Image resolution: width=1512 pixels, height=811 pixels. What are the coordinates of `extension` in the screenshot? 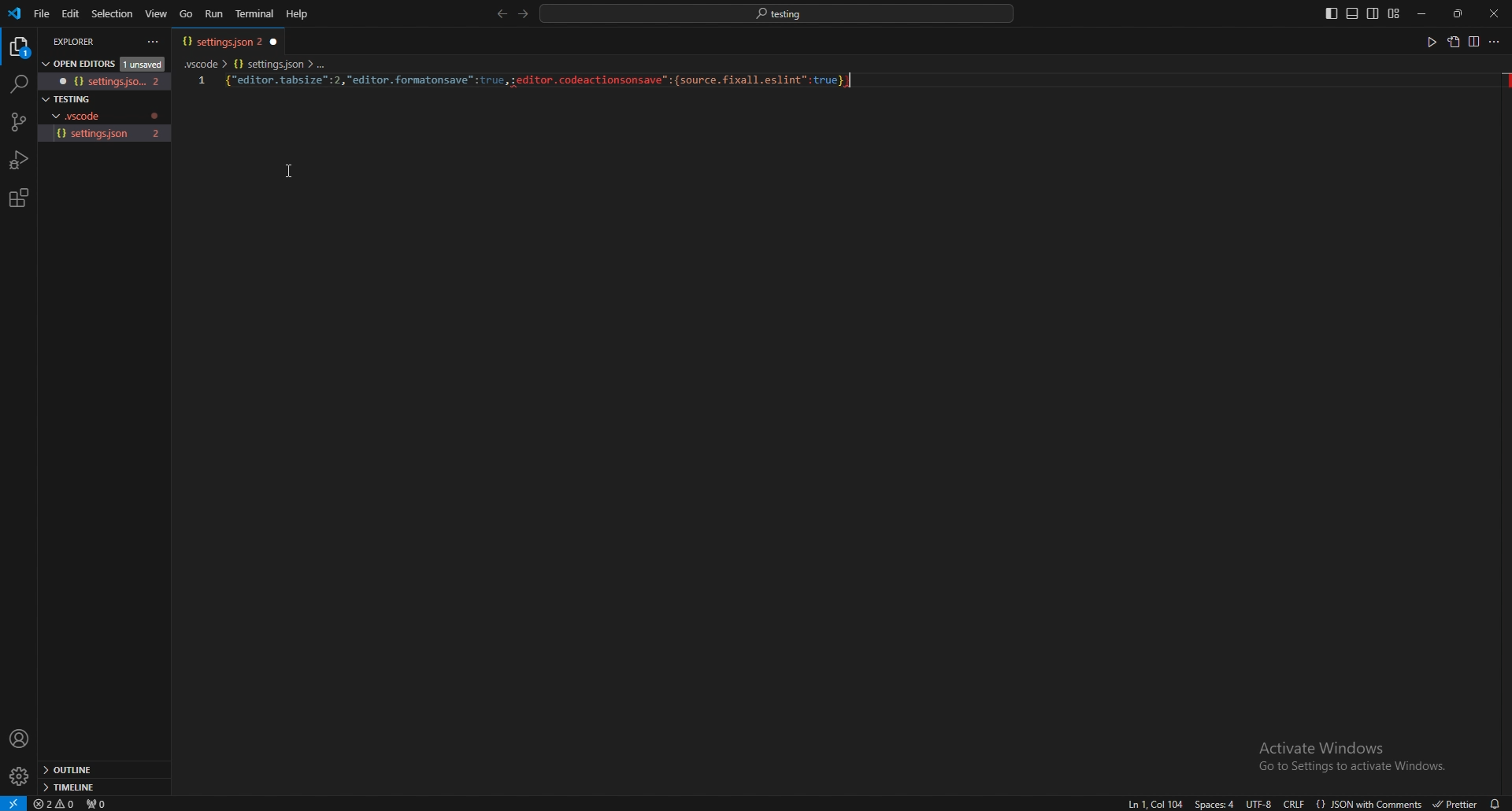 It's located at (18, 198).